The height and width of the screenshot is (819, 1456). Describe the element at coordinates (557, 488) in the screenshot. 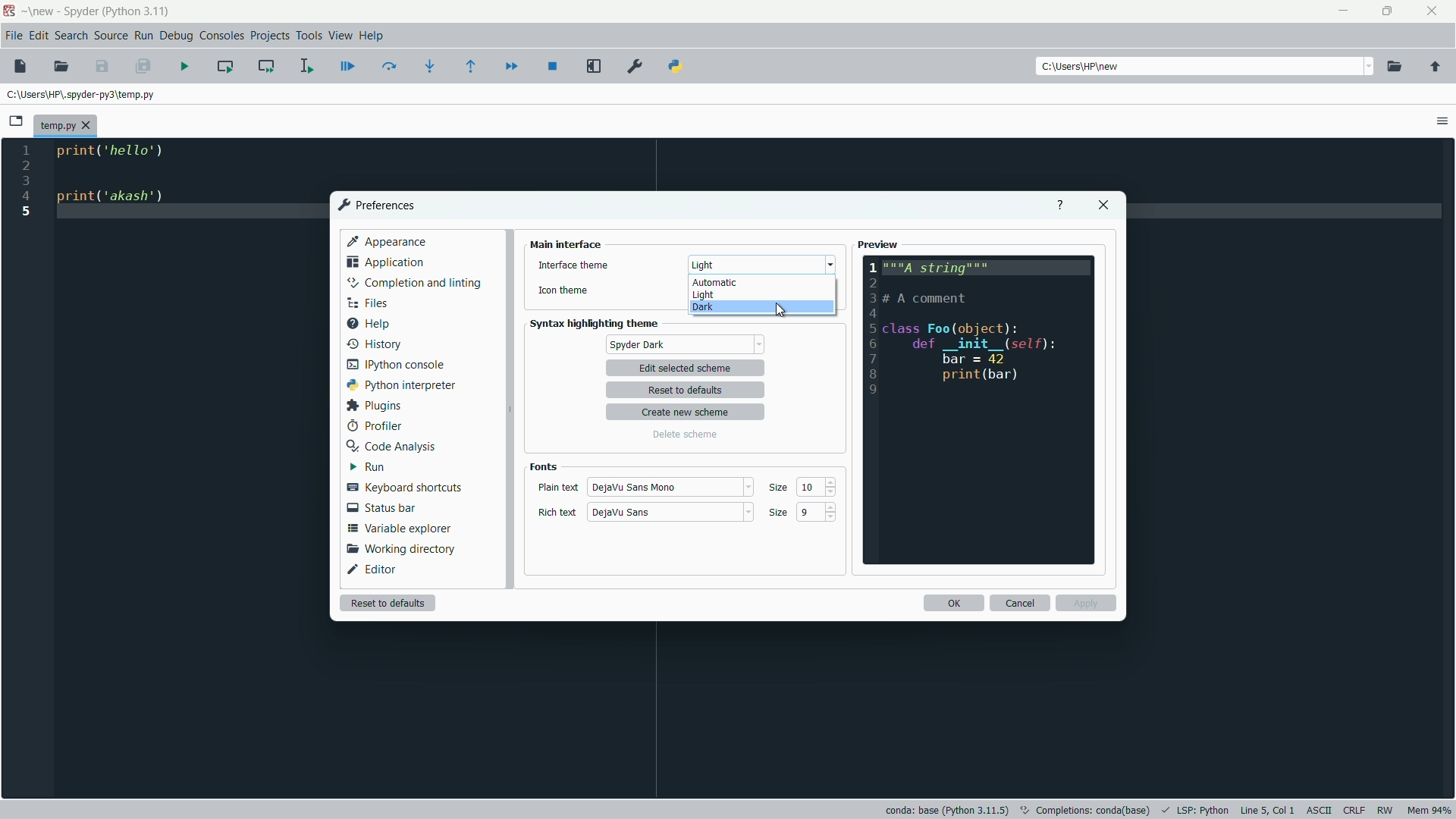

I see `plain text` at that location.